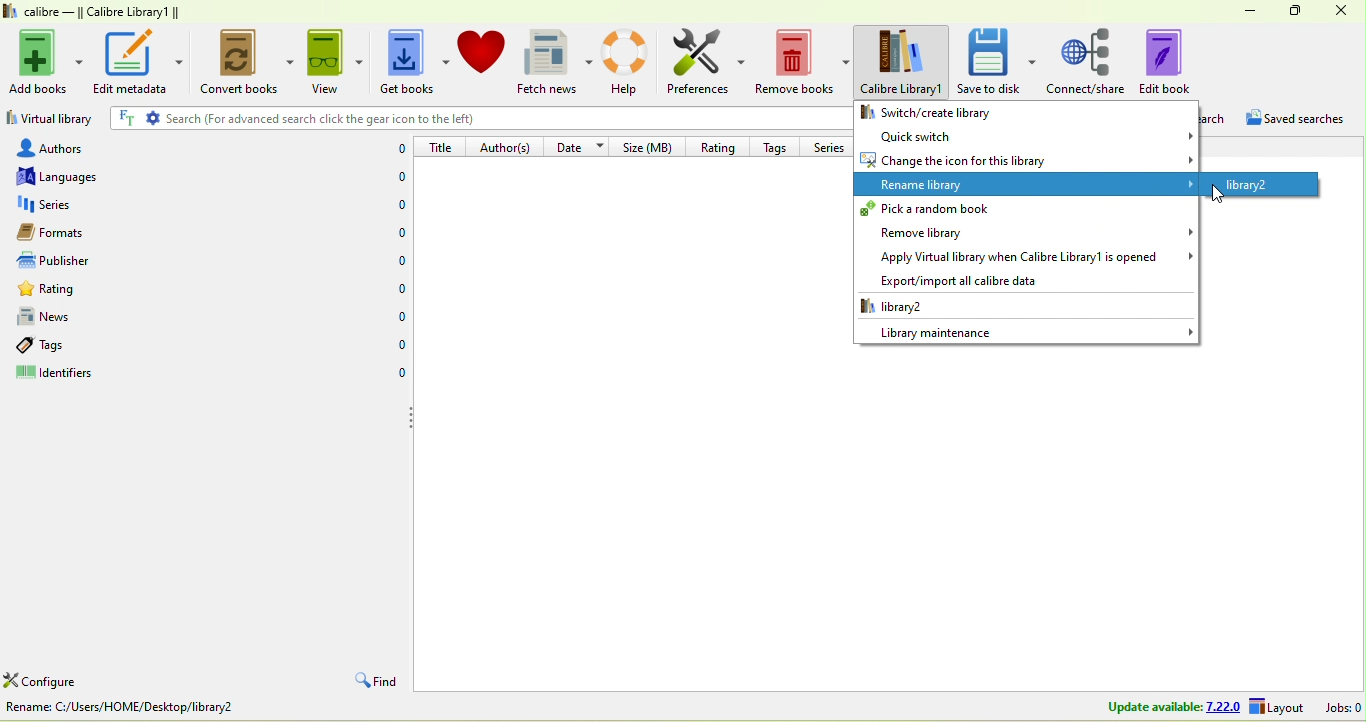  I want to click on date, so click(580, 145).